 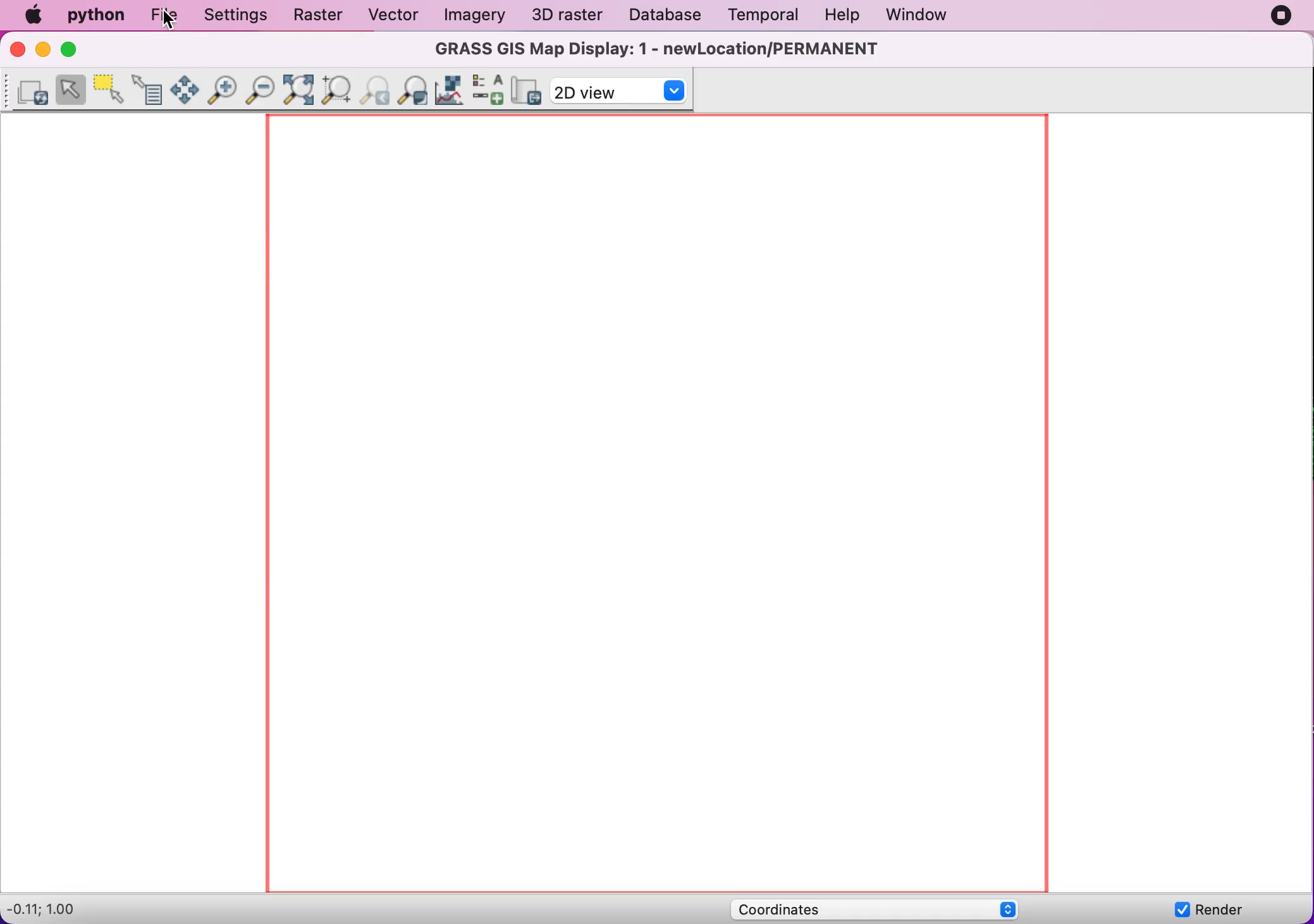 What do you see at coordinates (242, 18) in the screenshot?
I see `settings` at bounding box center [242, 18].